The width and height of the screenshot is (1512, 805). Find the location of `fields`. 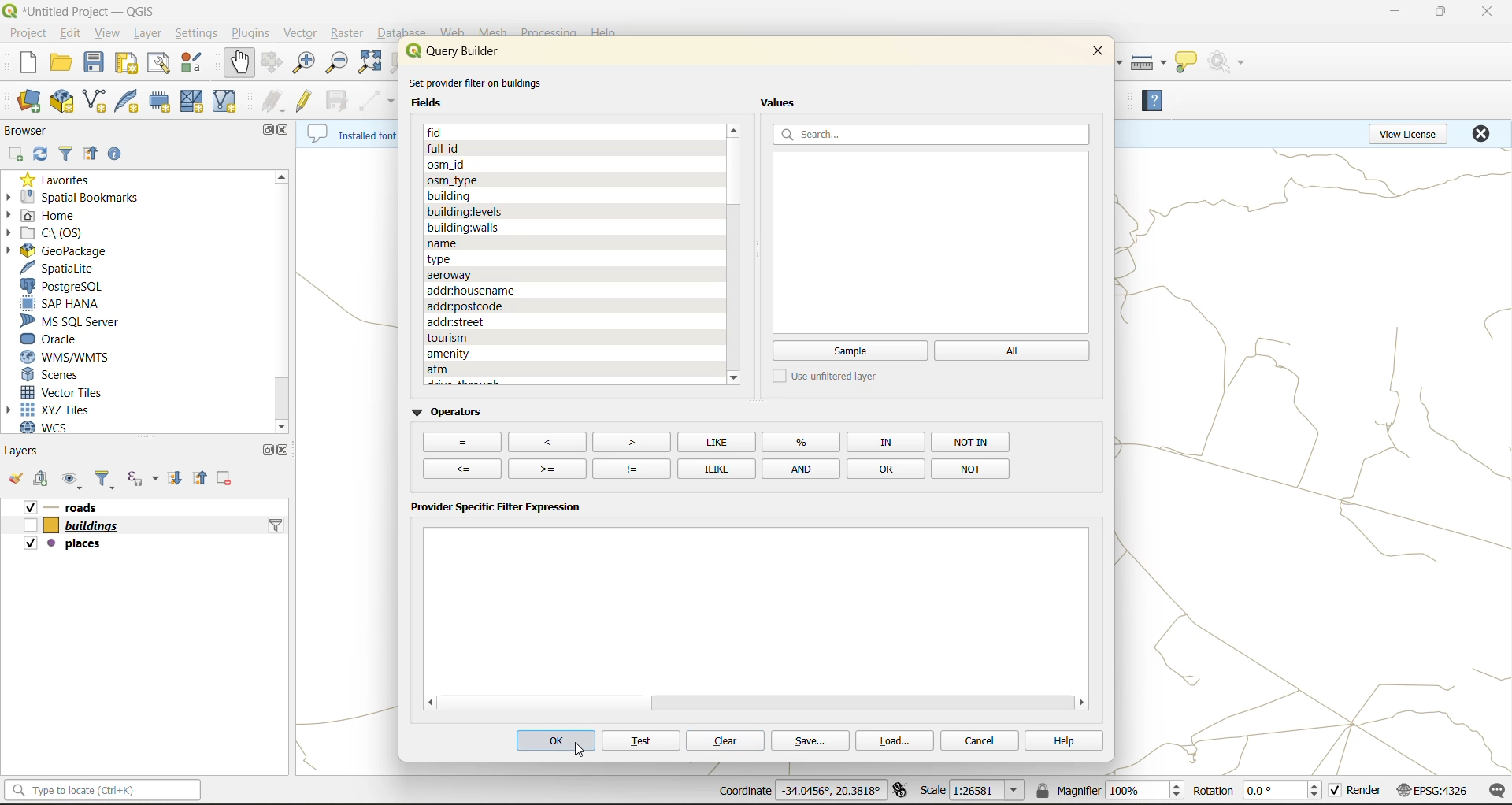

fields is located at coordinates (440, 242).